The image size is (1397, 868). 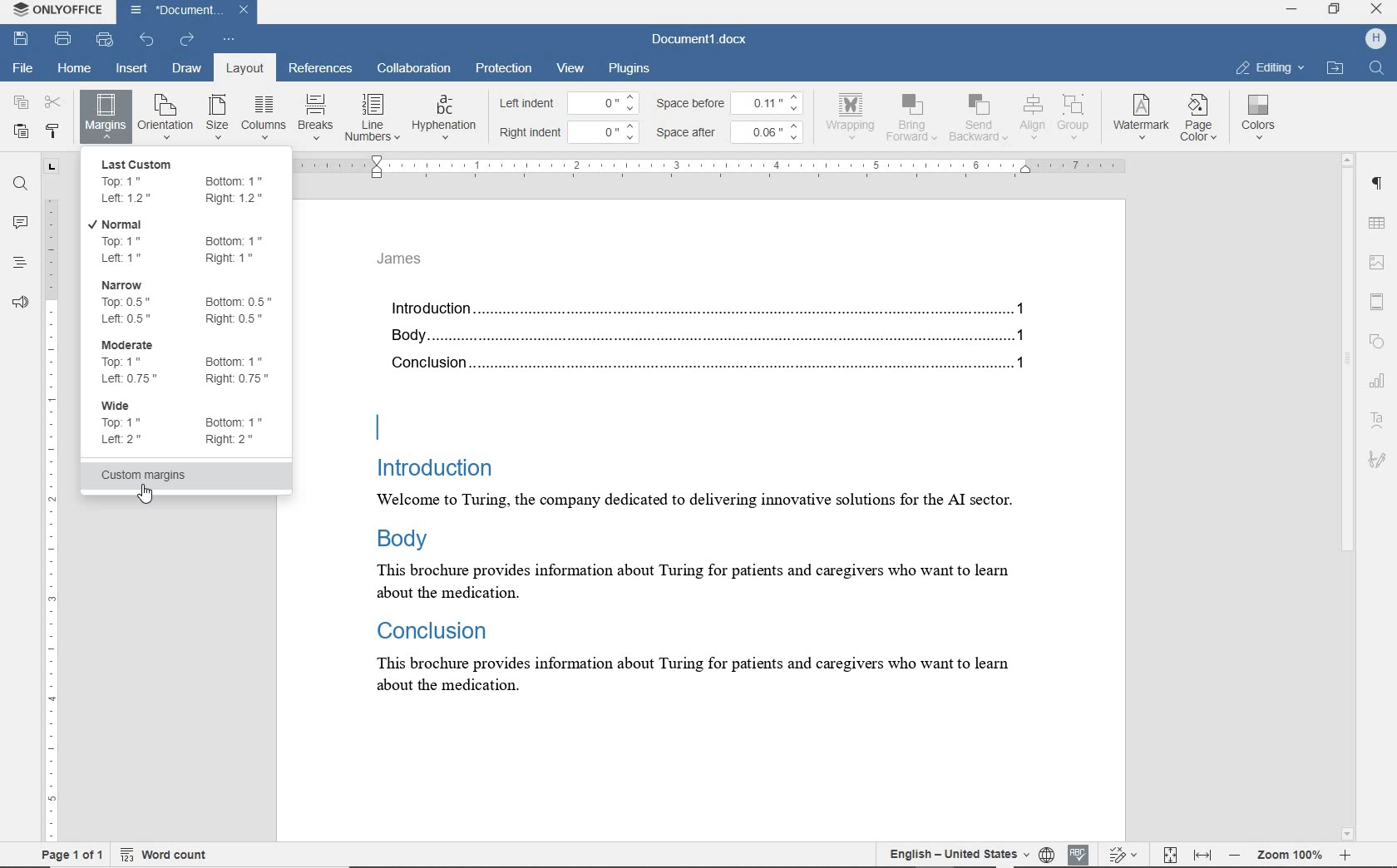 What do you see at coordinates (230, 40) in the screenshot?
I see `customize quick access ` at bounding box center [230, 40].